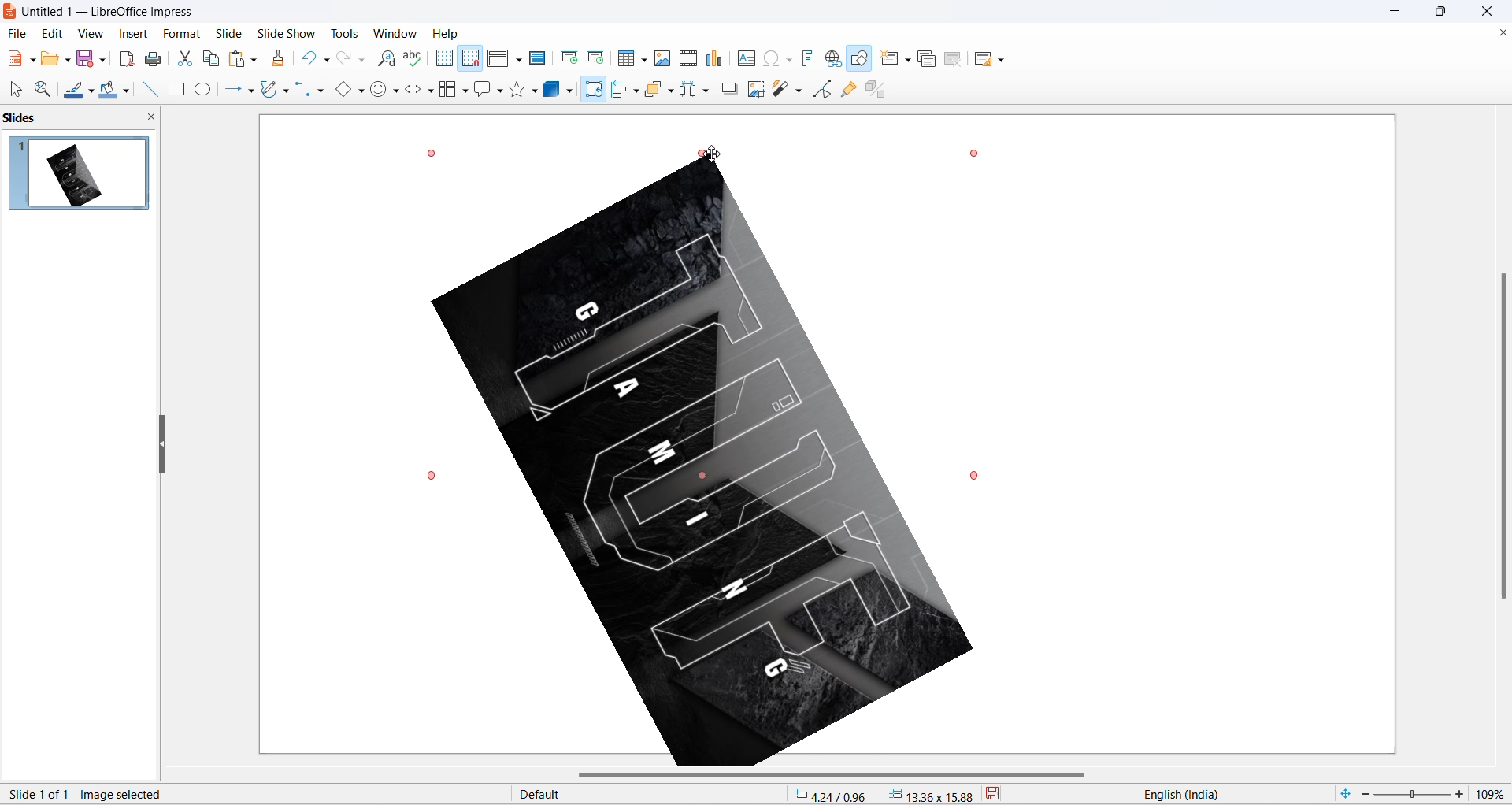  What do you see at coordinates (806, 57) in the screenshot?
I see `insert fontwork text` at bounding box center [806, 57].